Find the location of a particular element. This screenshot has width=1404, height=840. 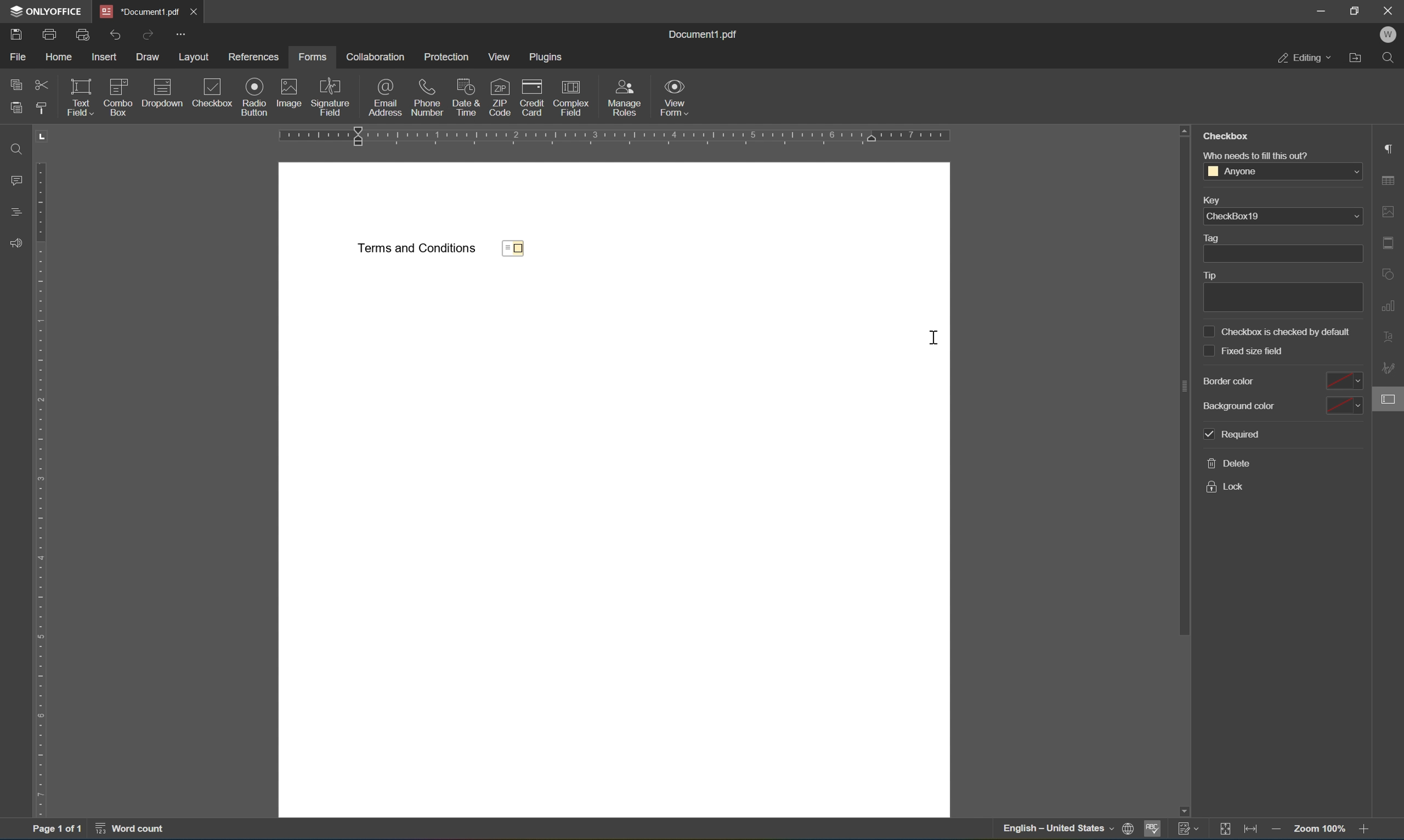

complex field is located at coordinates (571, 96).